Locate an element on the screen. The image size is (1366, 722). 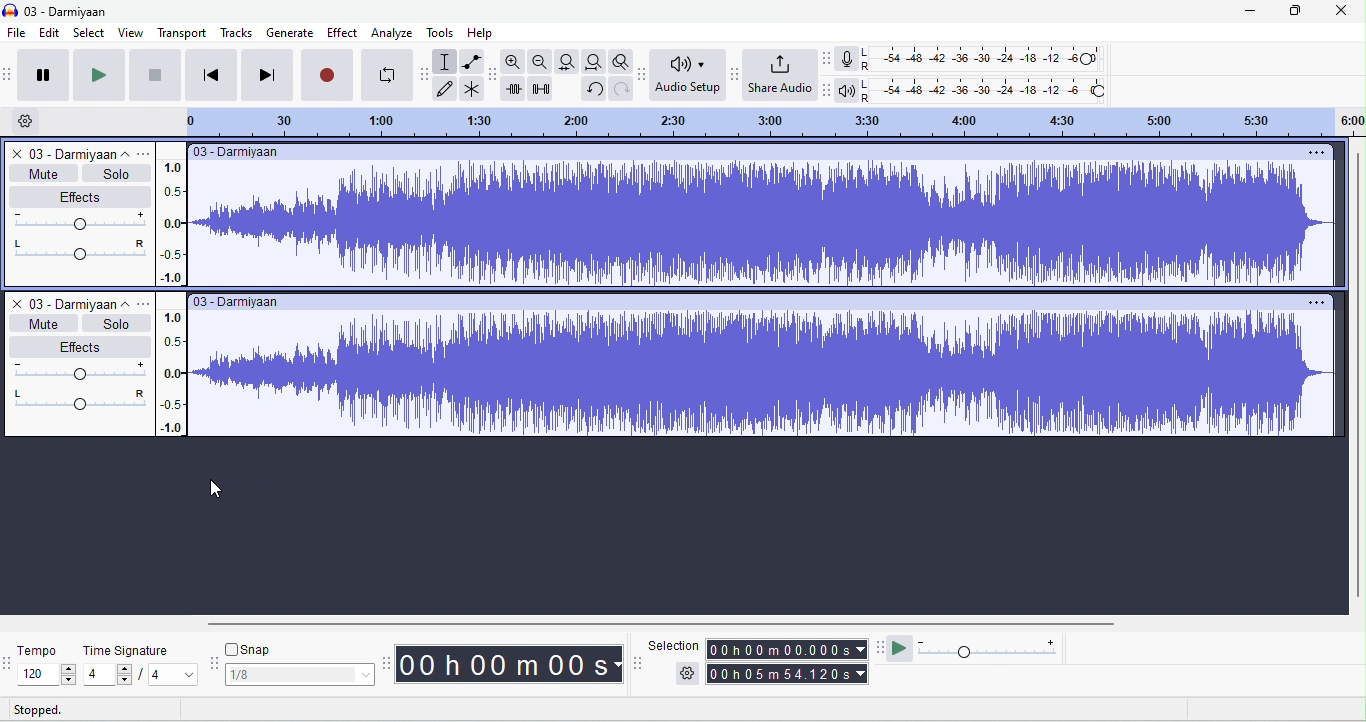
loop is located at coordinates (385, 74).